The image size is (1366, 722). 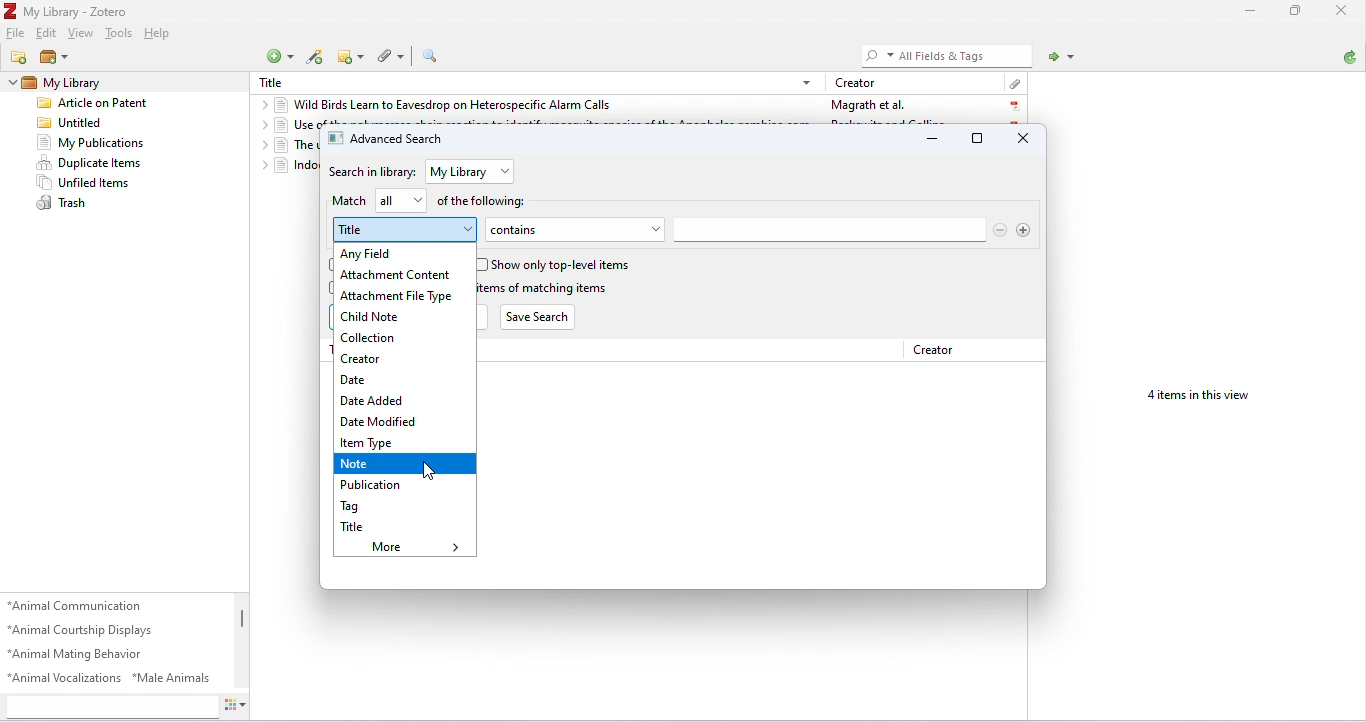 I want to click on note, so click(x=406, y=463).